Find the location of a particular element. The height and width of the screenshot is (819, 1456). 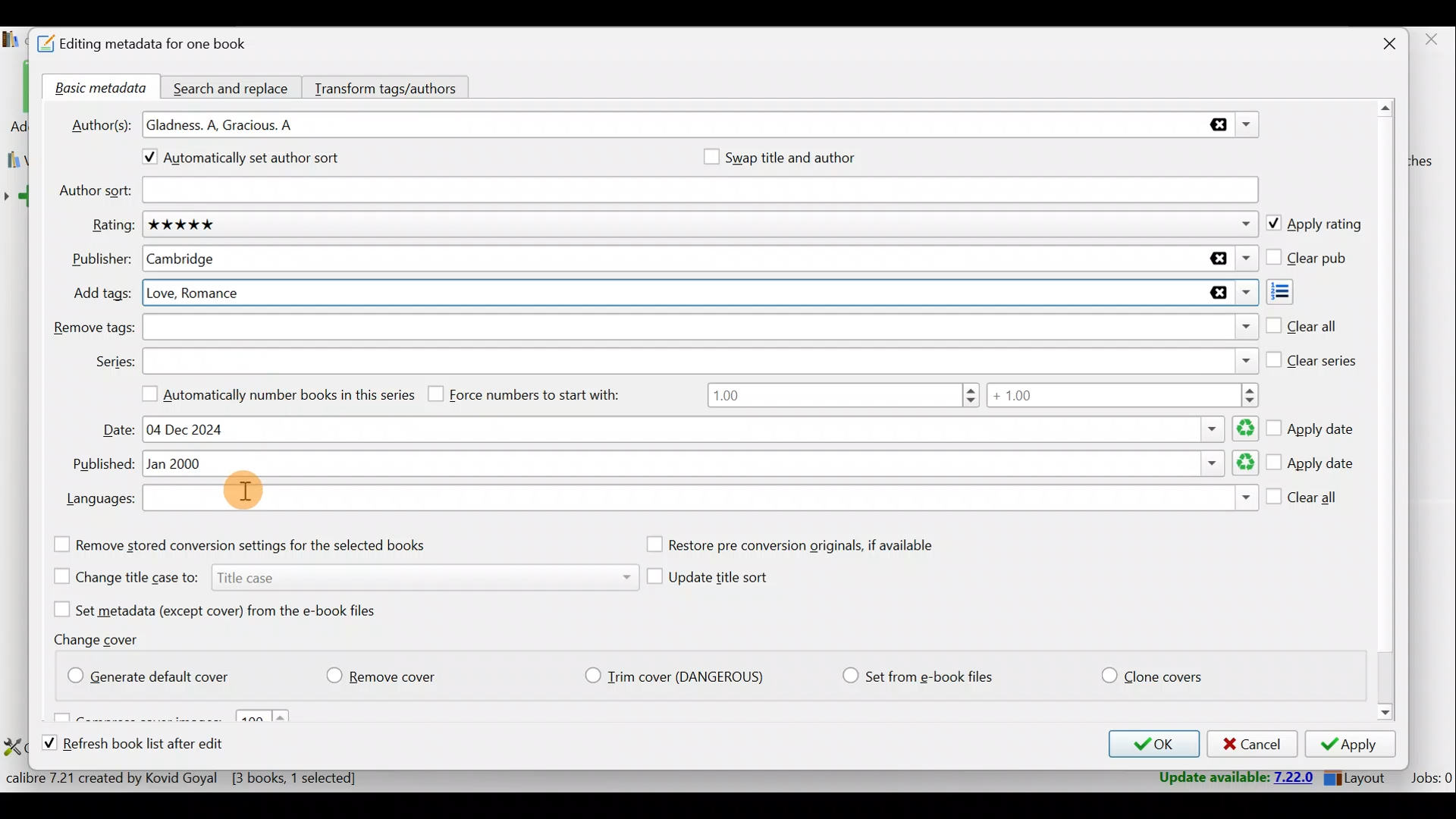

Remove cover is located at coordinates (391, 673).